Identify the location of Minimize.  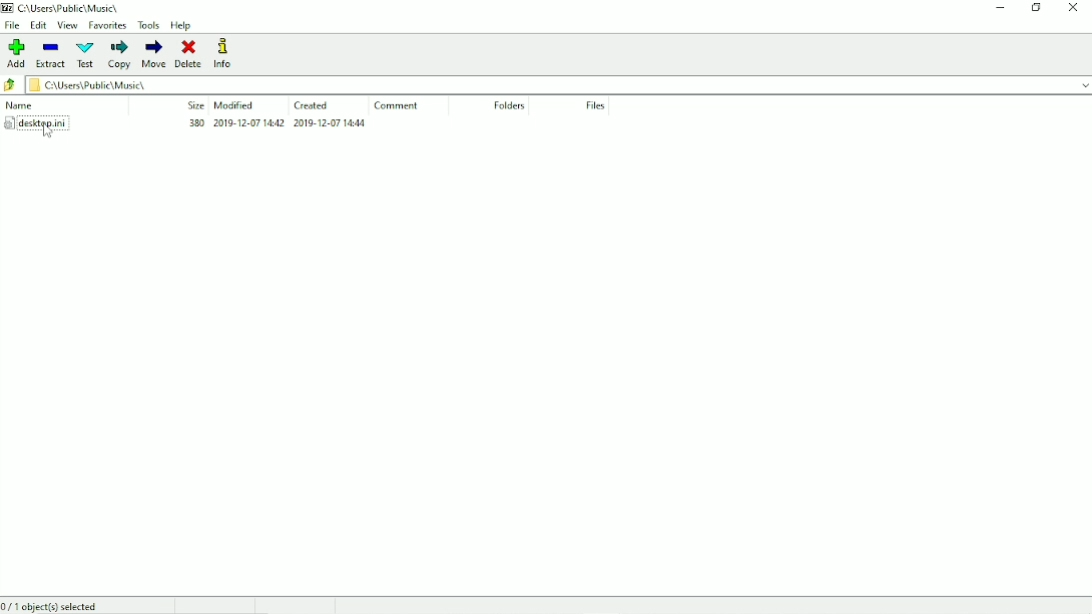
(1001, 8).